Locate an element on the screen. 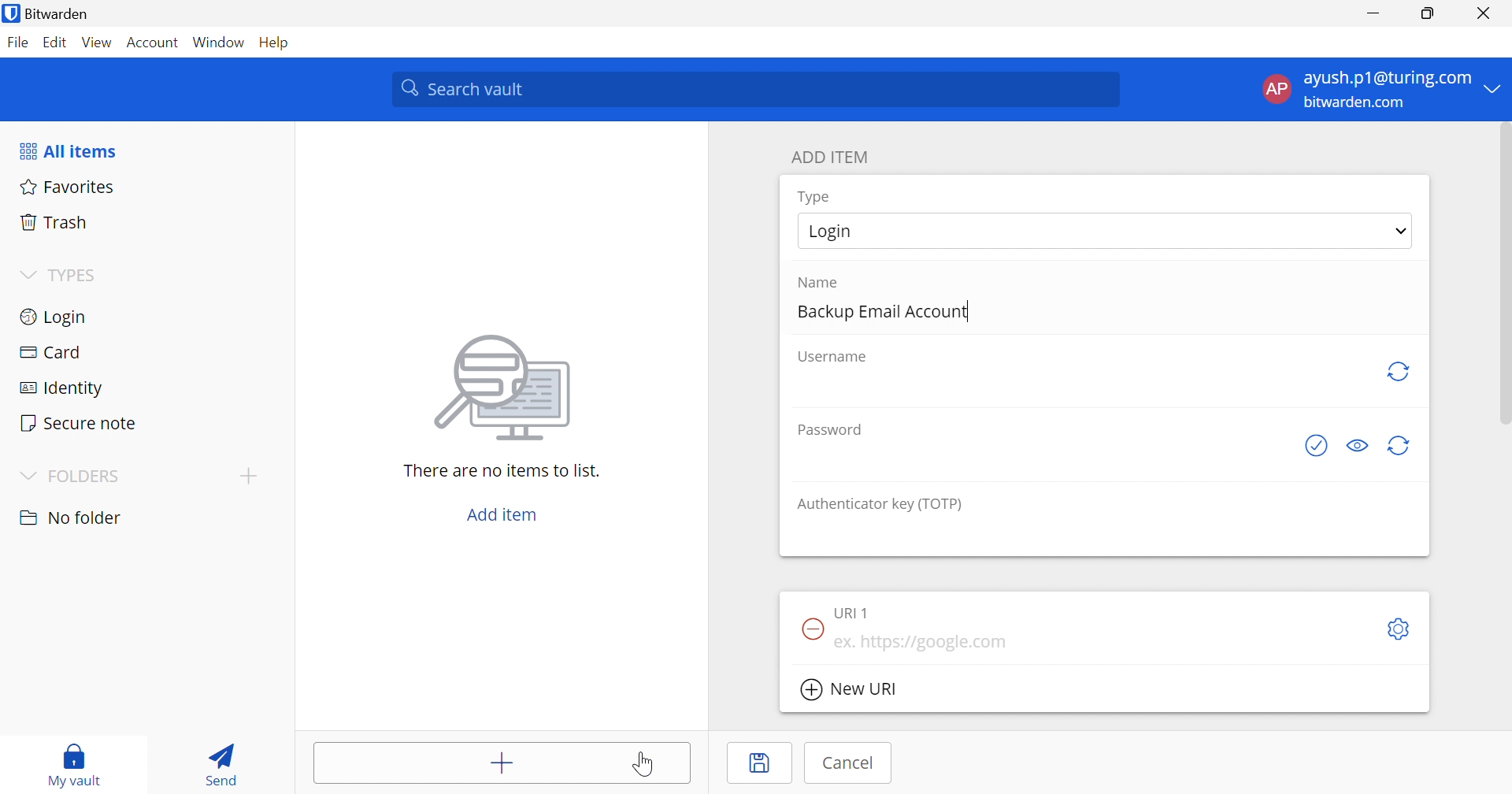 The height and width of the screenshot is (794, 1512). Restore Down is located at coordinates (1427, 12).